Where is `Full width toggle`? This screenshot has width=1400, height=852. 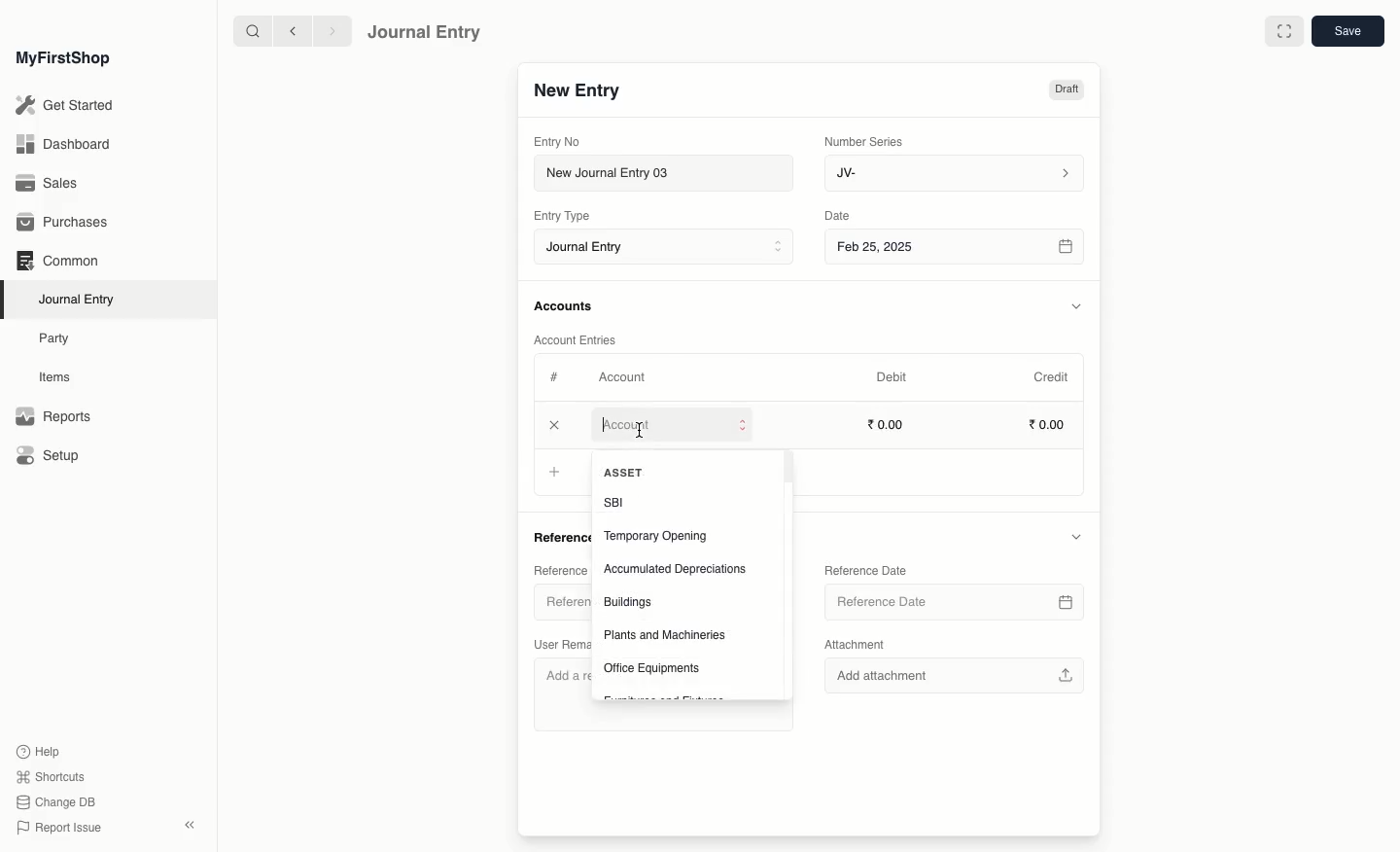 Full width toggle is located at coordinates (1282, 32).